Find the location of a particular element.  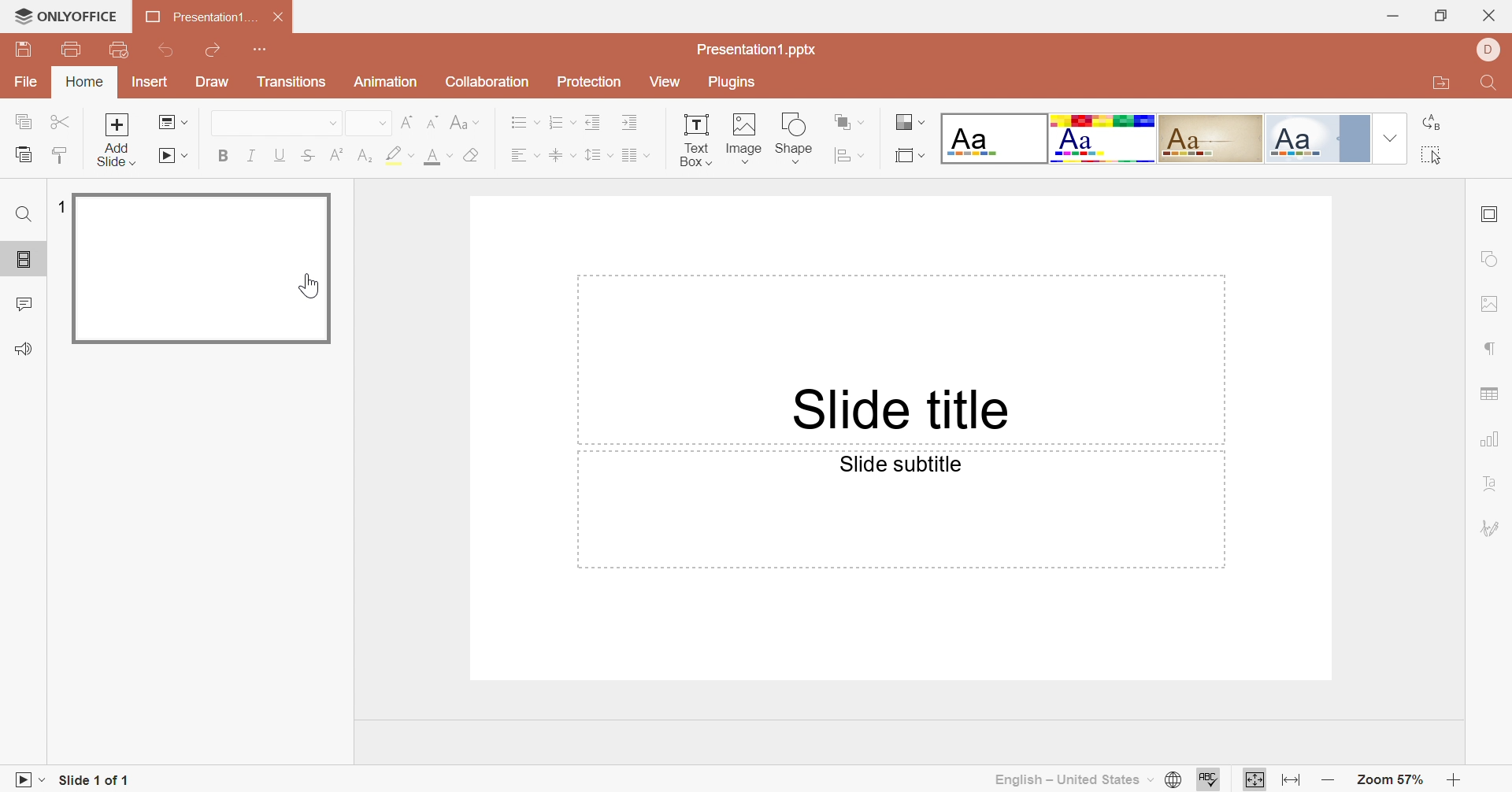

Slide title is located at coordinates (900, 407).